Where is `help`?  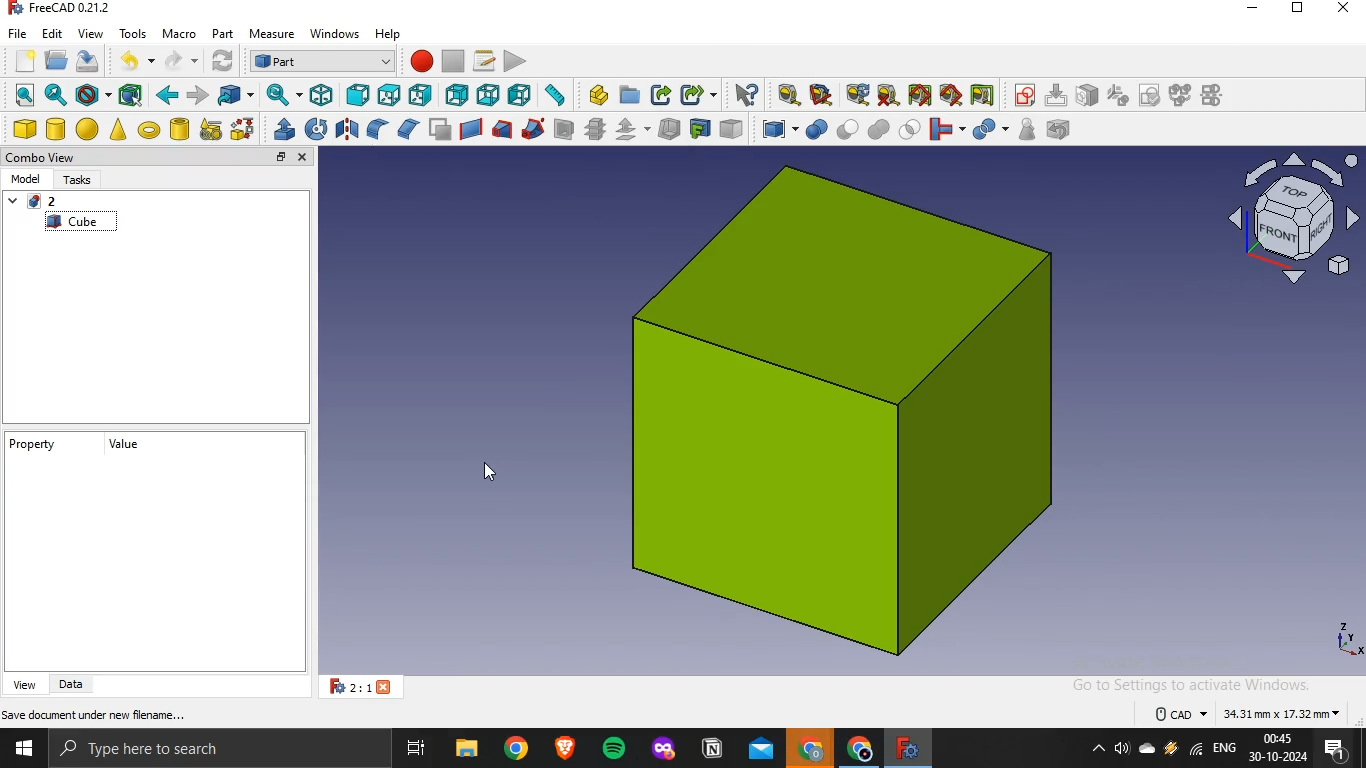
help is located at coordinates (389, 33).